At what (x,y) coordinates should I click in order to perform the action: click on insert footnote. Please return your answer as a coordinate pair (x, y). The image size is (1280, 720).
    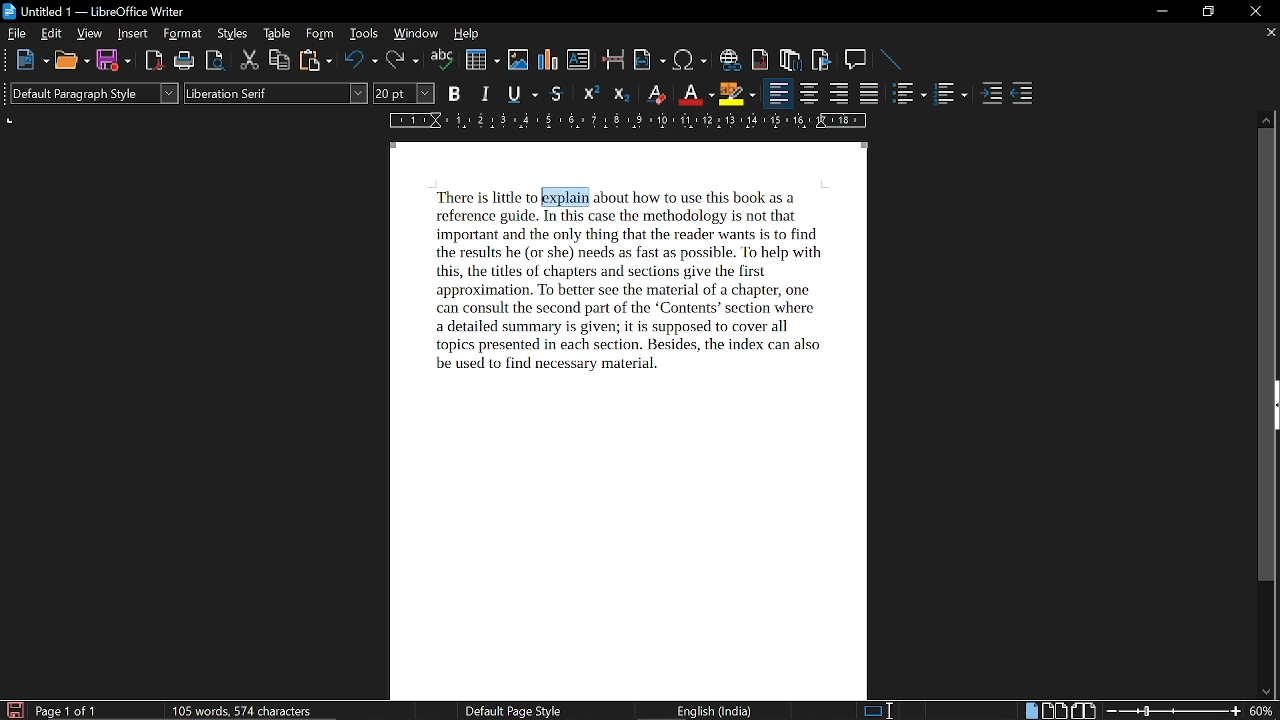
    Looking at the image, I should click on (791, 60).